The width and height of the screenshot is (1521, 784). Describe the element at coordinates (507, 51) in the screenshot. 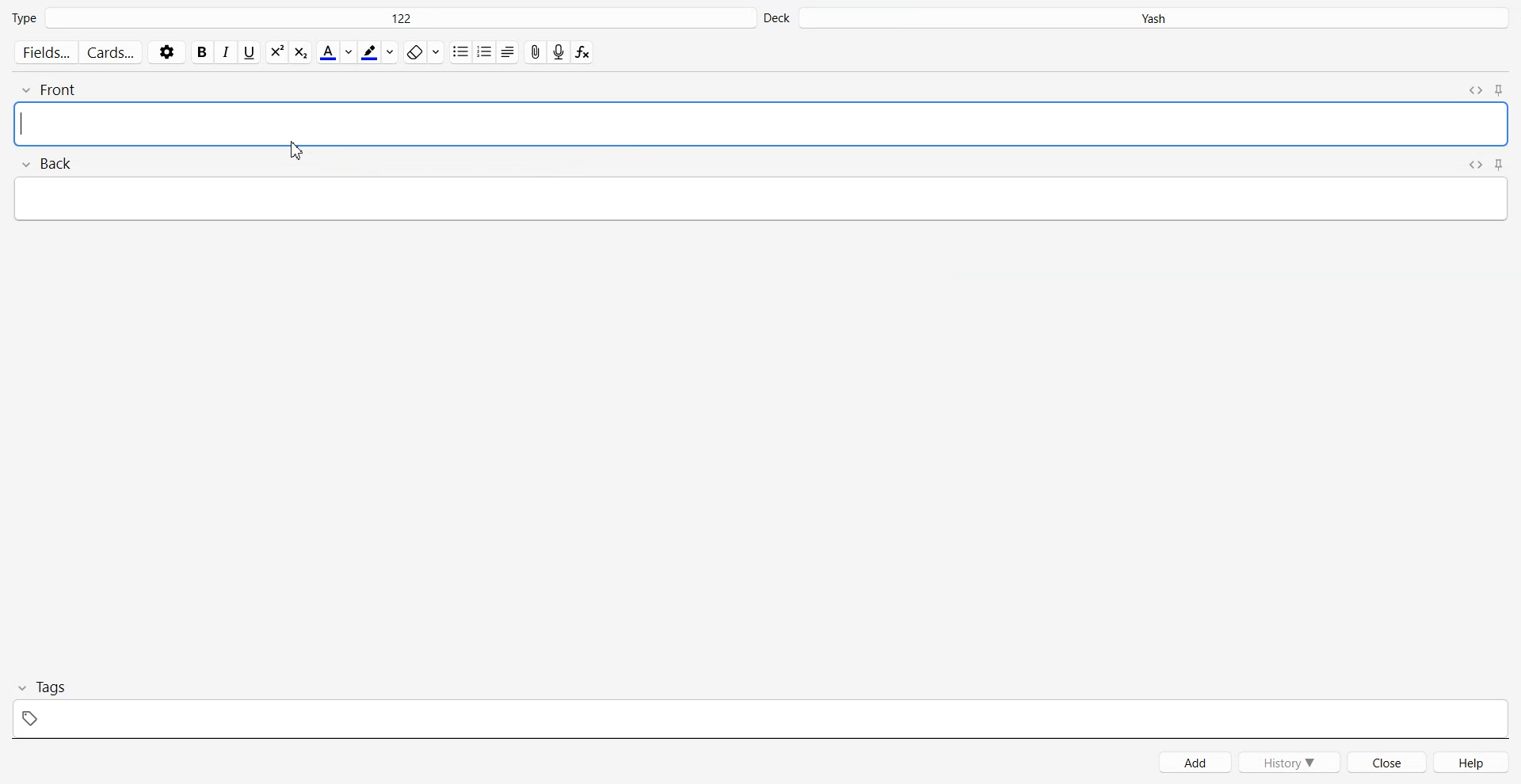

I see `Alignment` at that location.